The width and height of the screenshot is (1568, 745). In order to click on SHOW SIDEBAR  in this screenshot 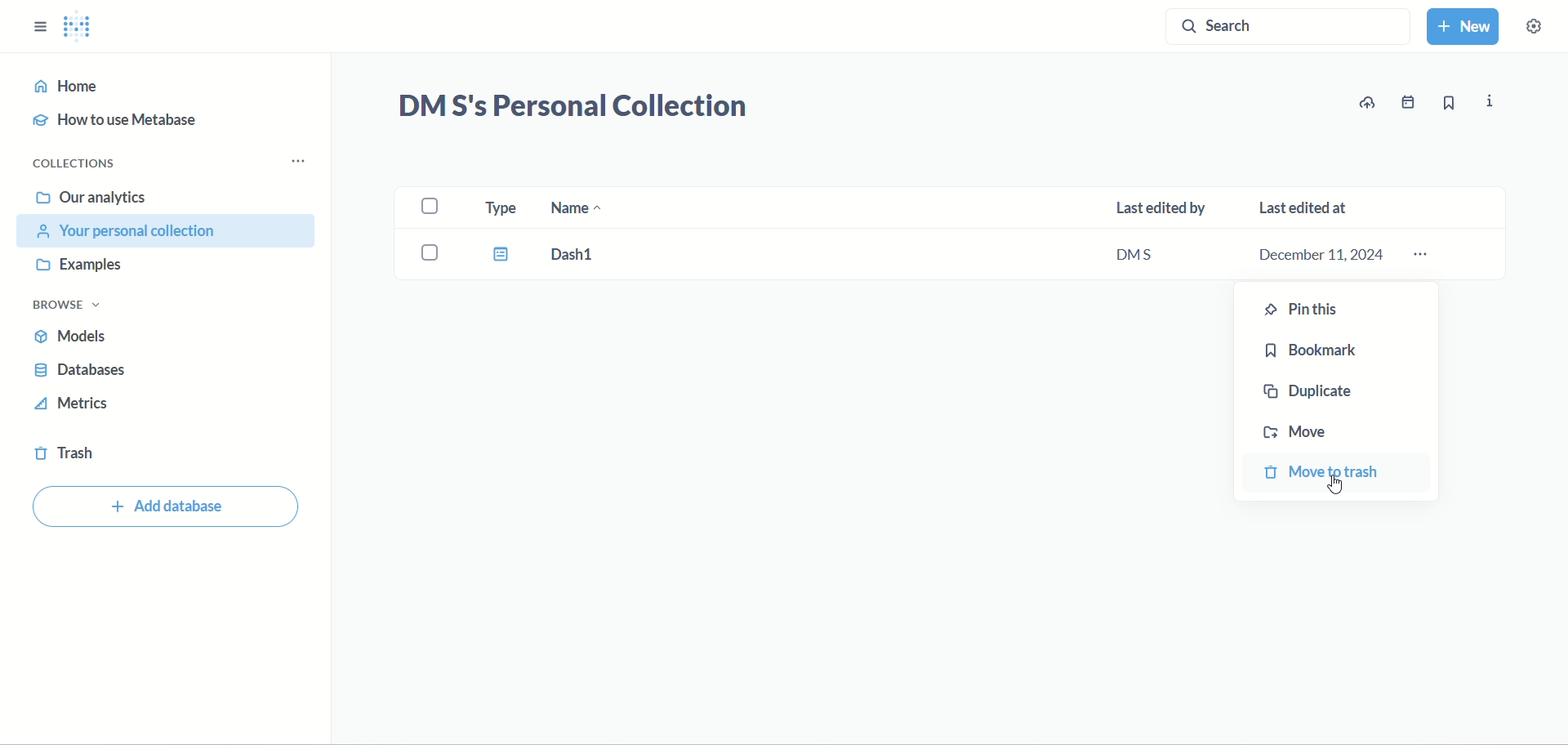, I will do `click(40, 22)`.